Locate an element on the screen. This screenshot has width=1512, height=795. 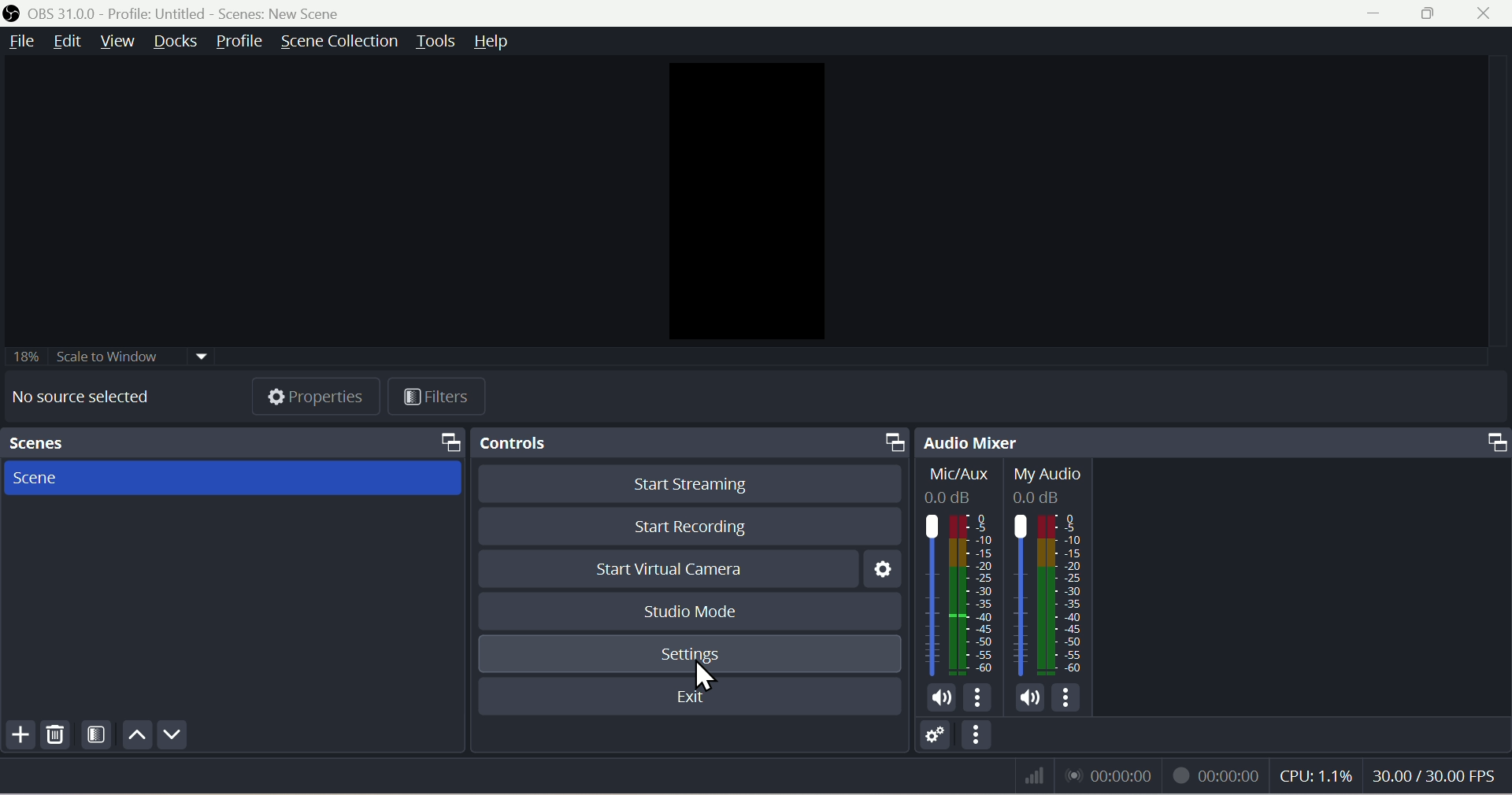
Maximize Window is located at coordinates (893, 442).